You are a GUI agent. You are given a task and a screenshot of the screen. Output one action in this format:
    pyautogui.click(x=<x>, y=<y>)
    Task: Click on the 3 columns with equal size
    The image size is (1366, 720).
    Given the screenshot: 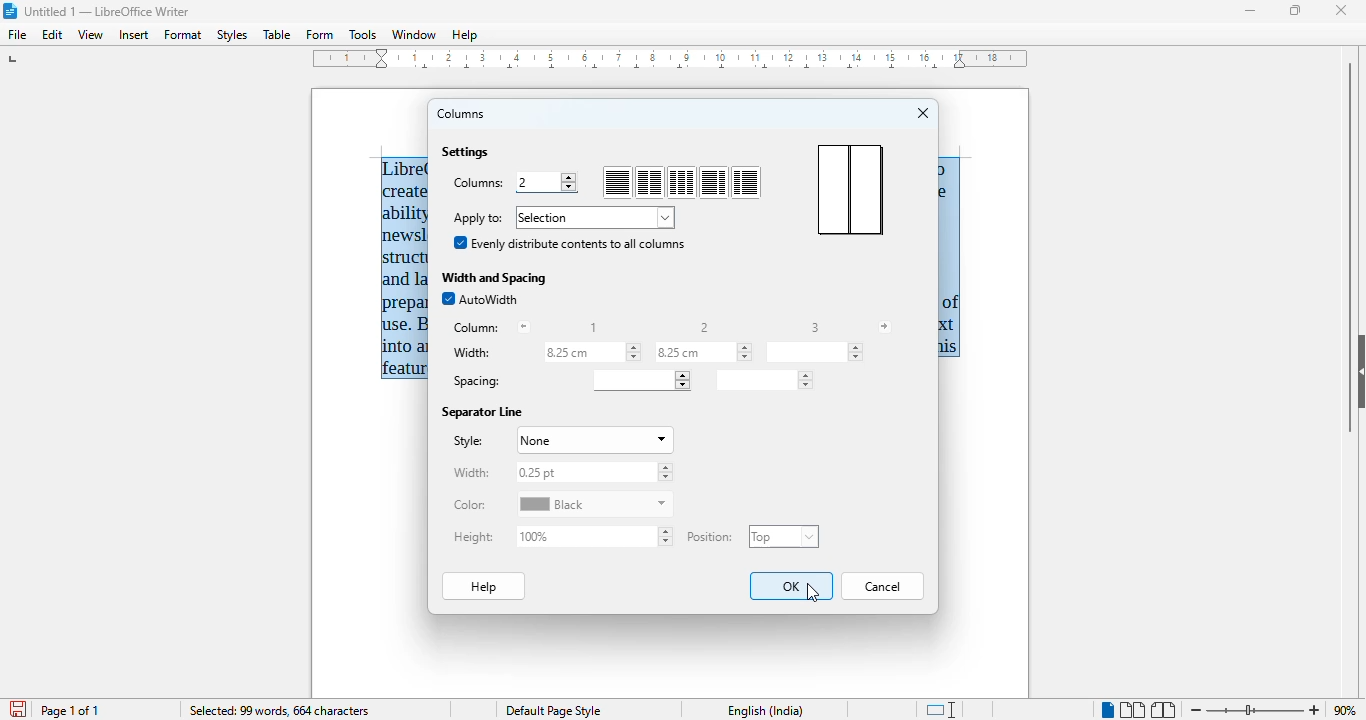 What is the action you would take?
    pyautogui.click(x=682, y=182)
    